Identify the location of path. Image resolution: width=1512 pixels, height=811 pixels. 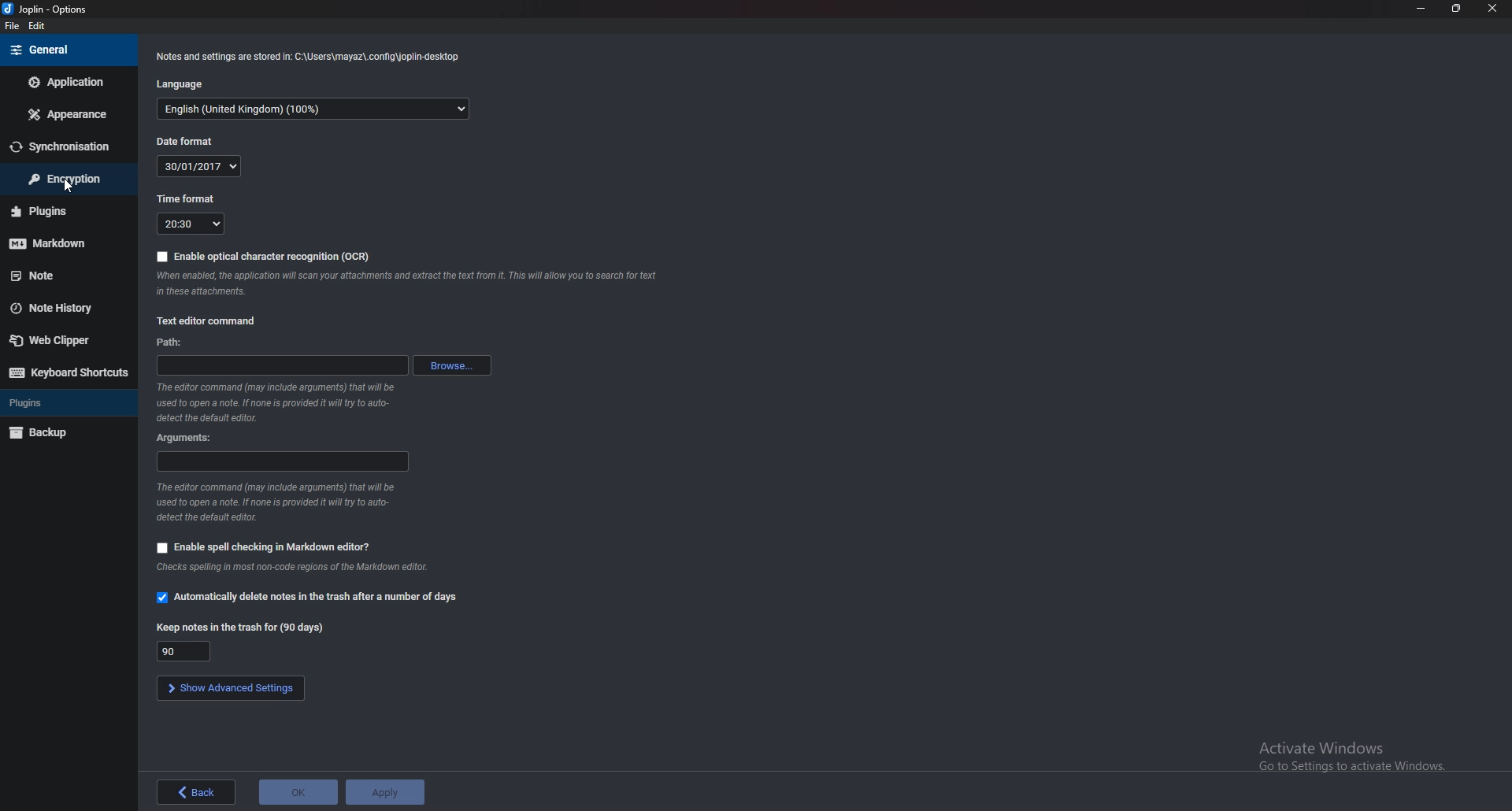
(170, 344).